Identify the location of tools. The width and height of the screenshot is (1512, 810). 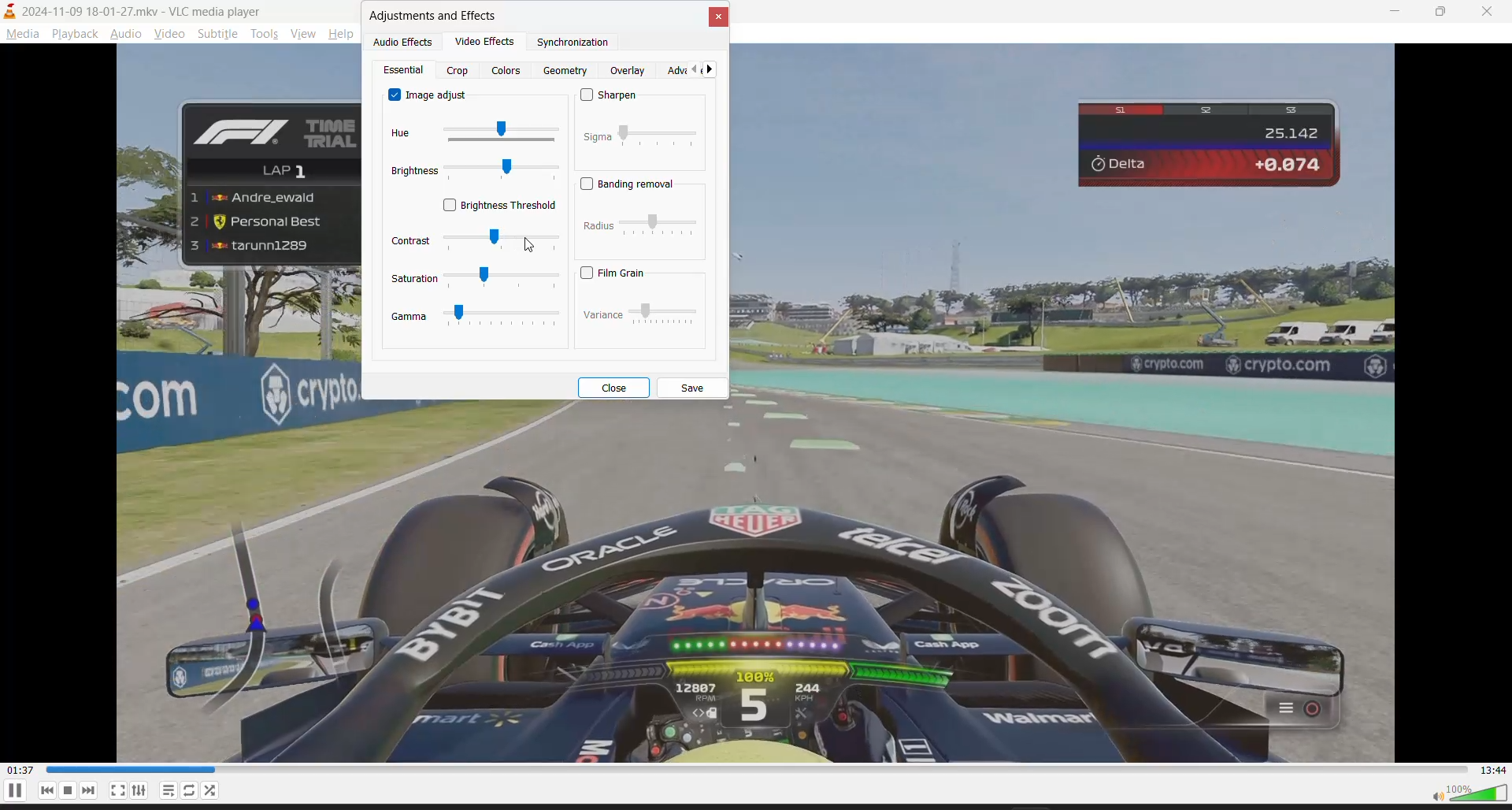
(263, 34).